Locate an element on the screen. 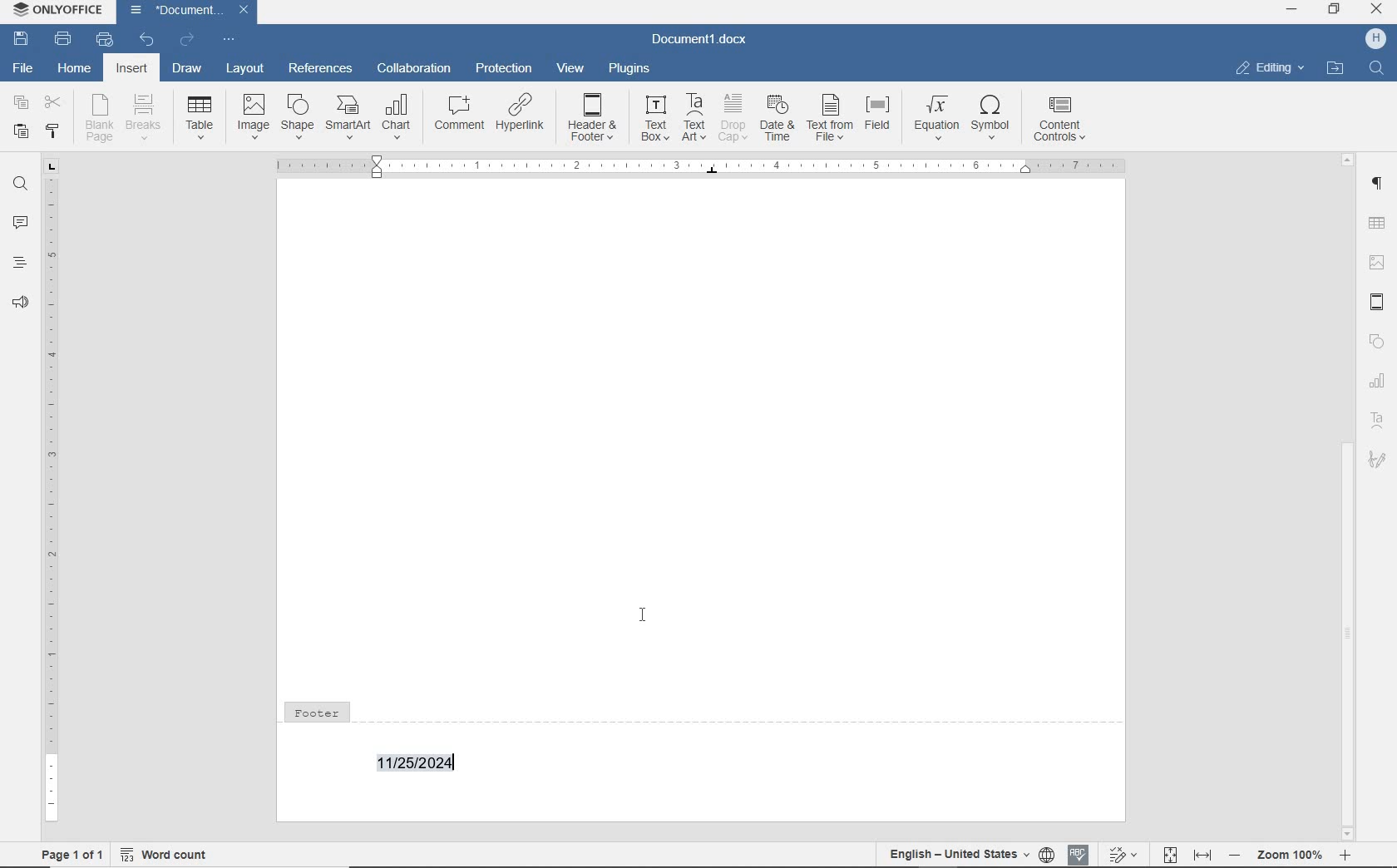  headings is located at coordinates (18, 263).